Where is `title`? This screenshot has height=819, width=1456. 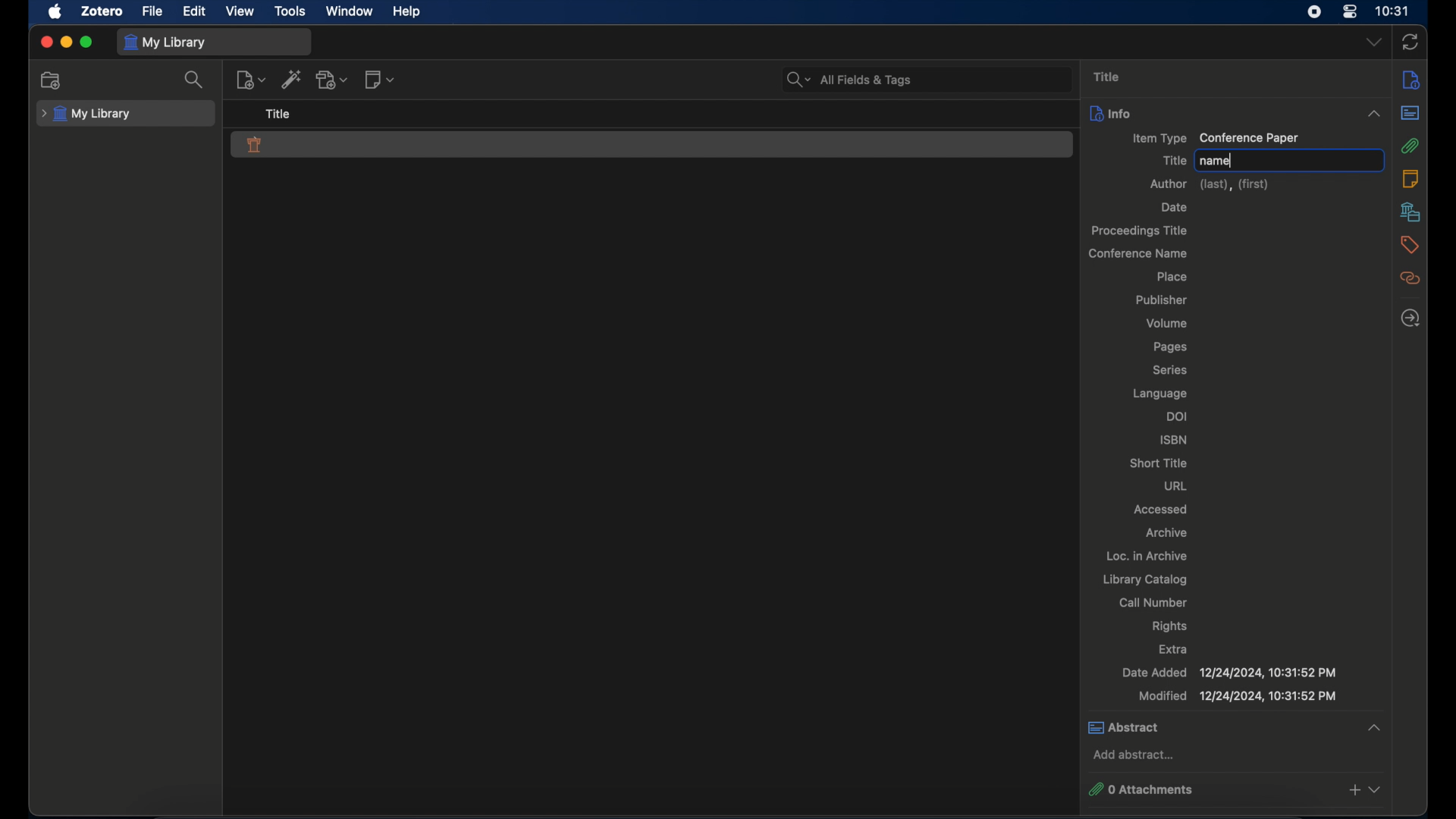
title is located at coordinates (1173, 160).